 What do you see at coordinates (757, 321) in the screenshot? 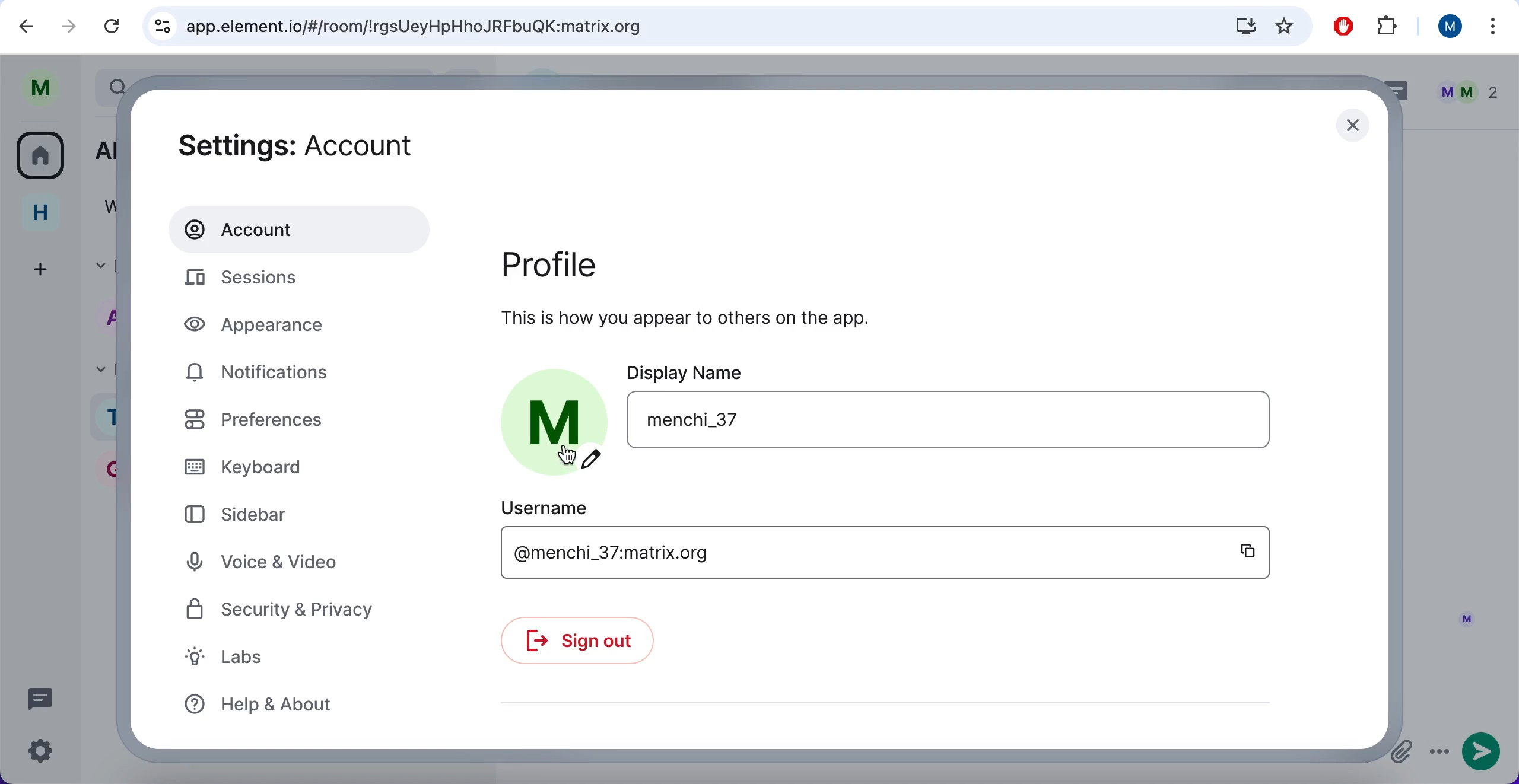
I see `this is how you appear to others on the app` at bounding box center [757, 321].